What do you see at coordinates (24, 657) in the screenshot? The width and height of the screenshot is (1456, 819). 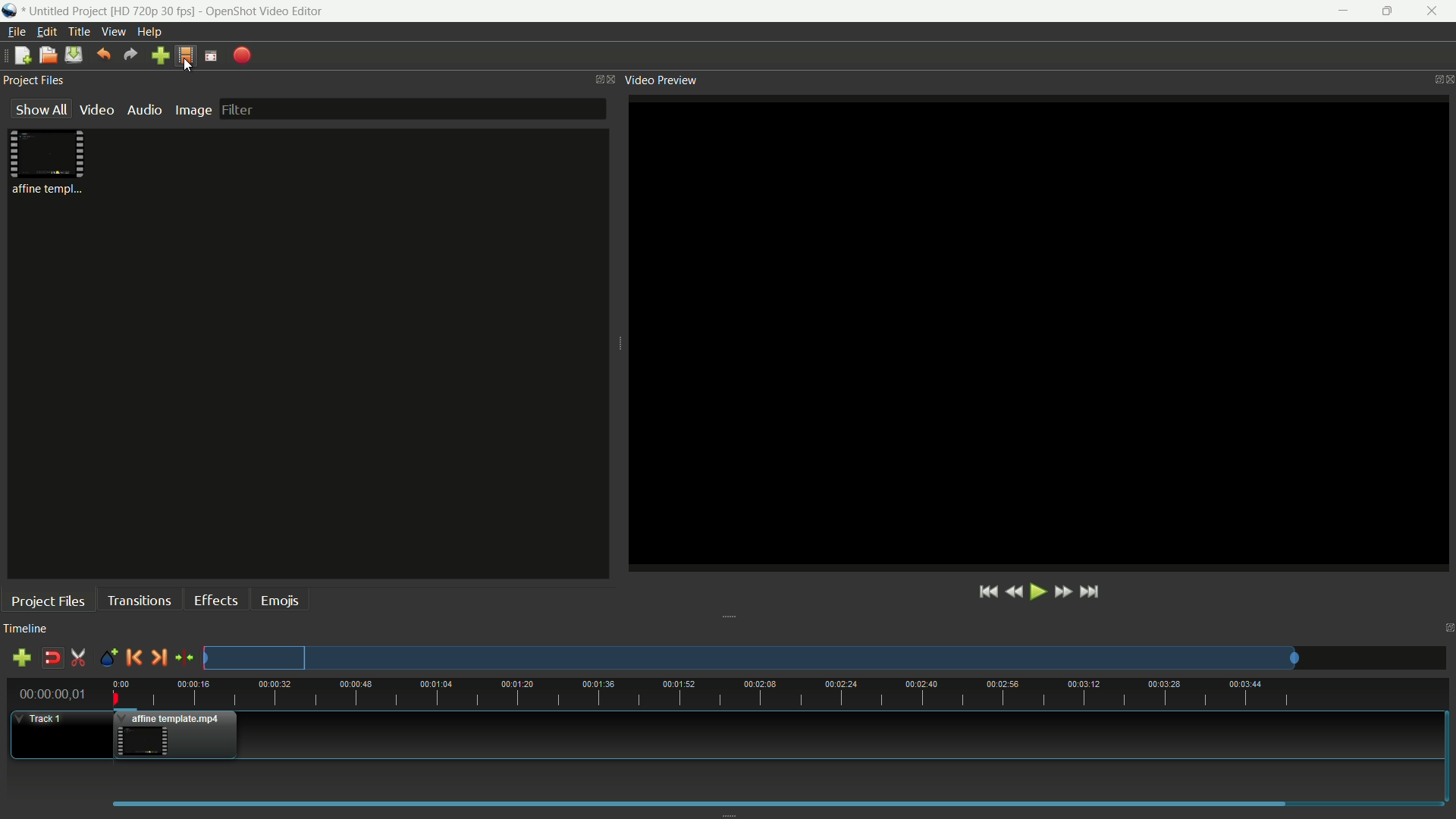 I see `add track` at bounding box center [24, 657].